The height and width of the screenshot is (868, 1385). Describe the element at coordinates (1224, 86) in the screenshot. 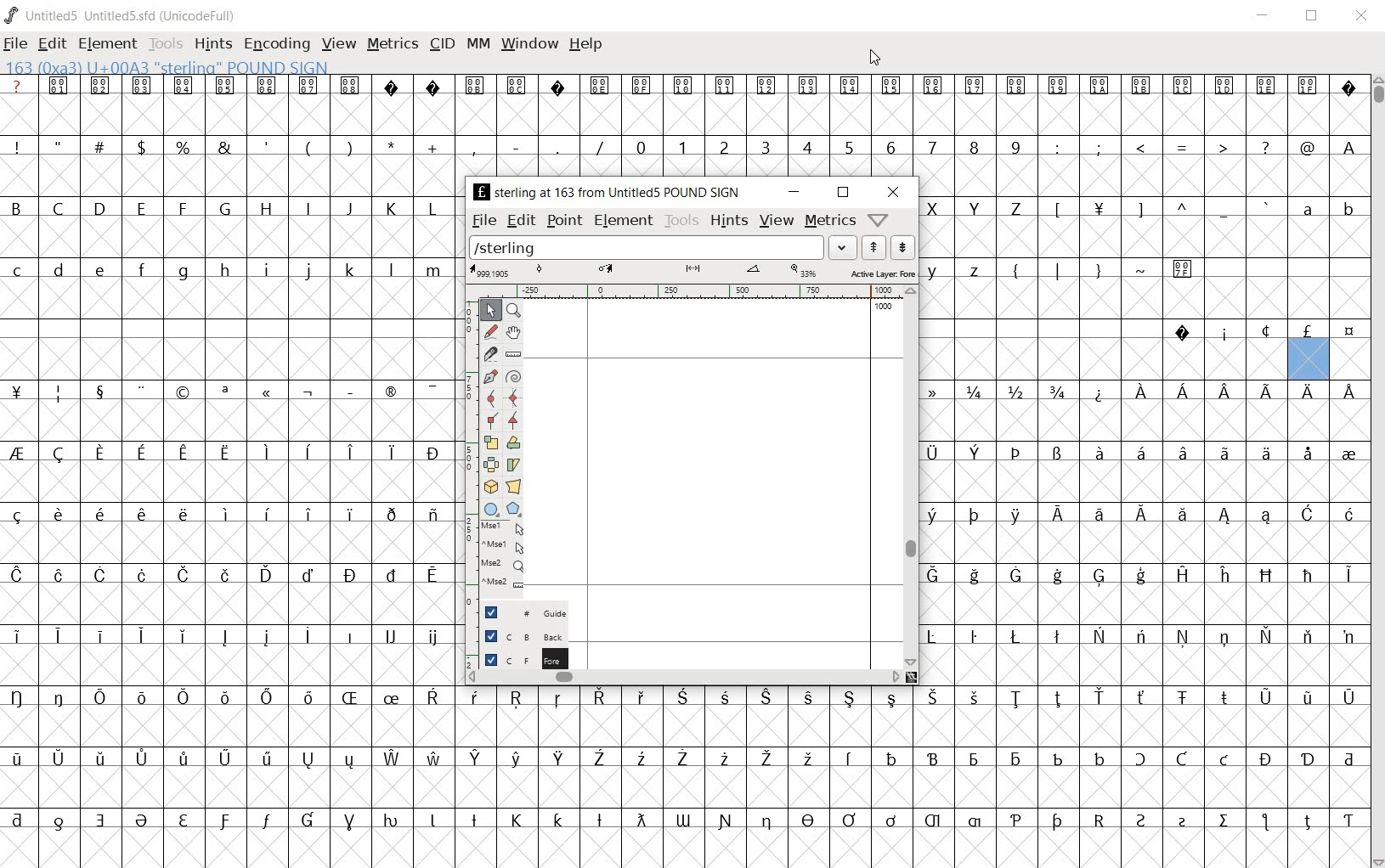

I see `Symbol` at that location.